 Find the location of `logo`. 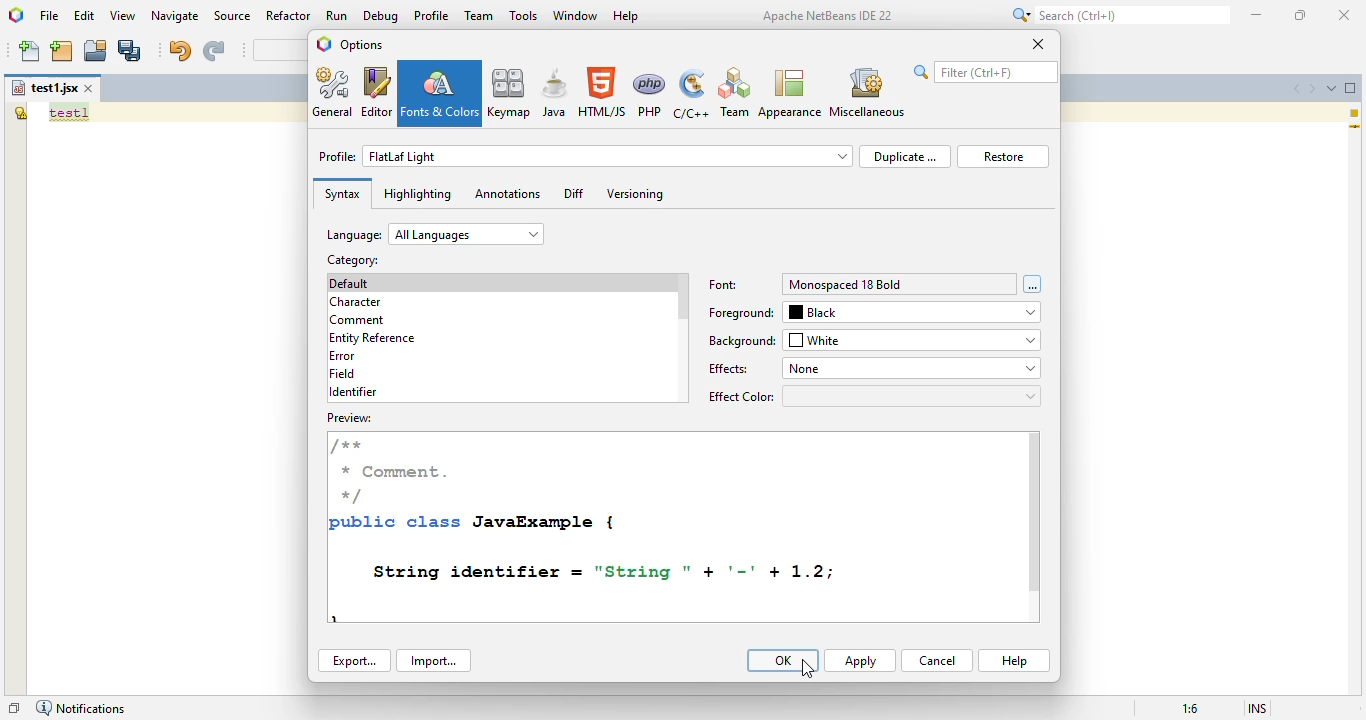

logo is located at coordinates (15, 14).